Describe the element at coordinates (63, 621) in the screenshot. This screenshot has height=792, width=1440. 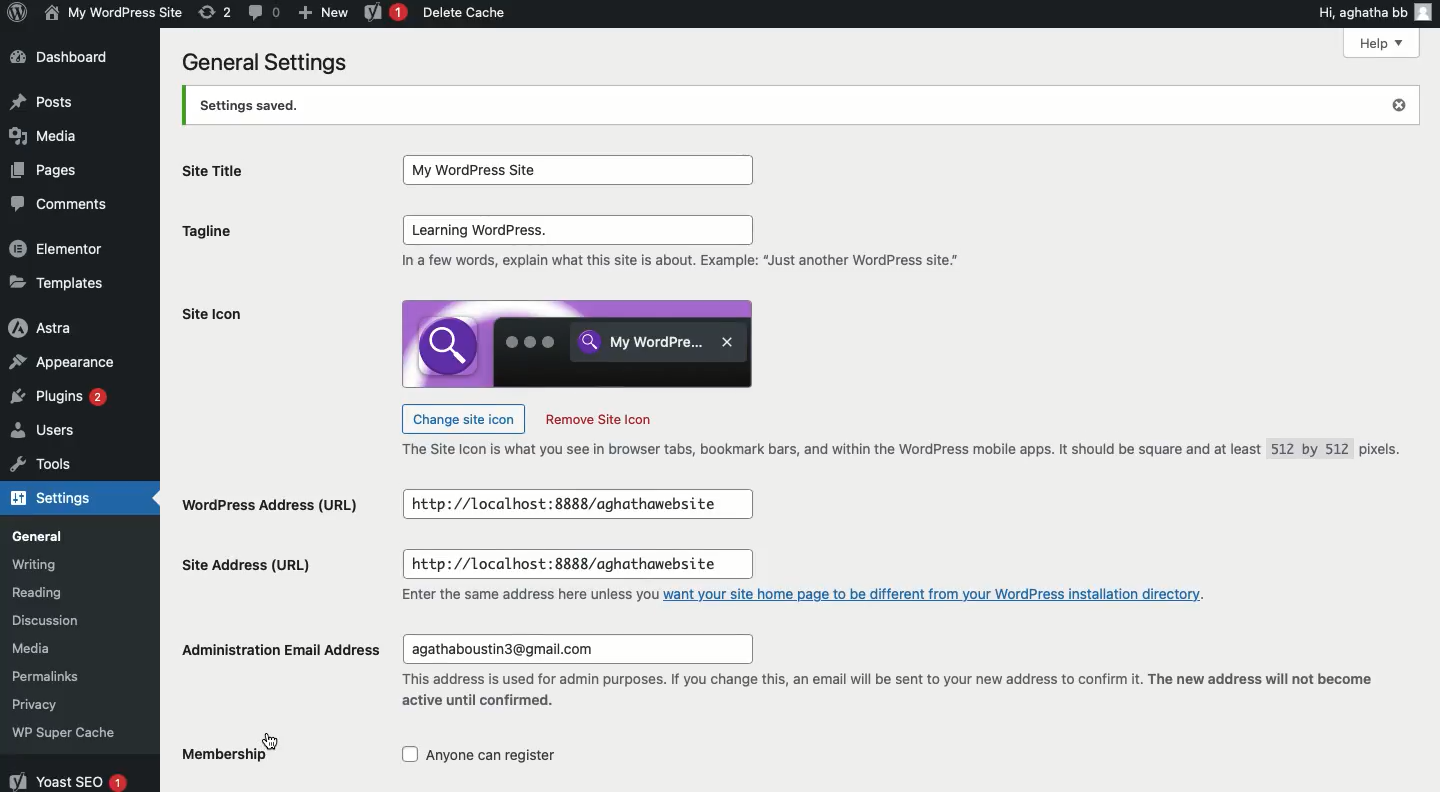
I see `Discussion` at that location.